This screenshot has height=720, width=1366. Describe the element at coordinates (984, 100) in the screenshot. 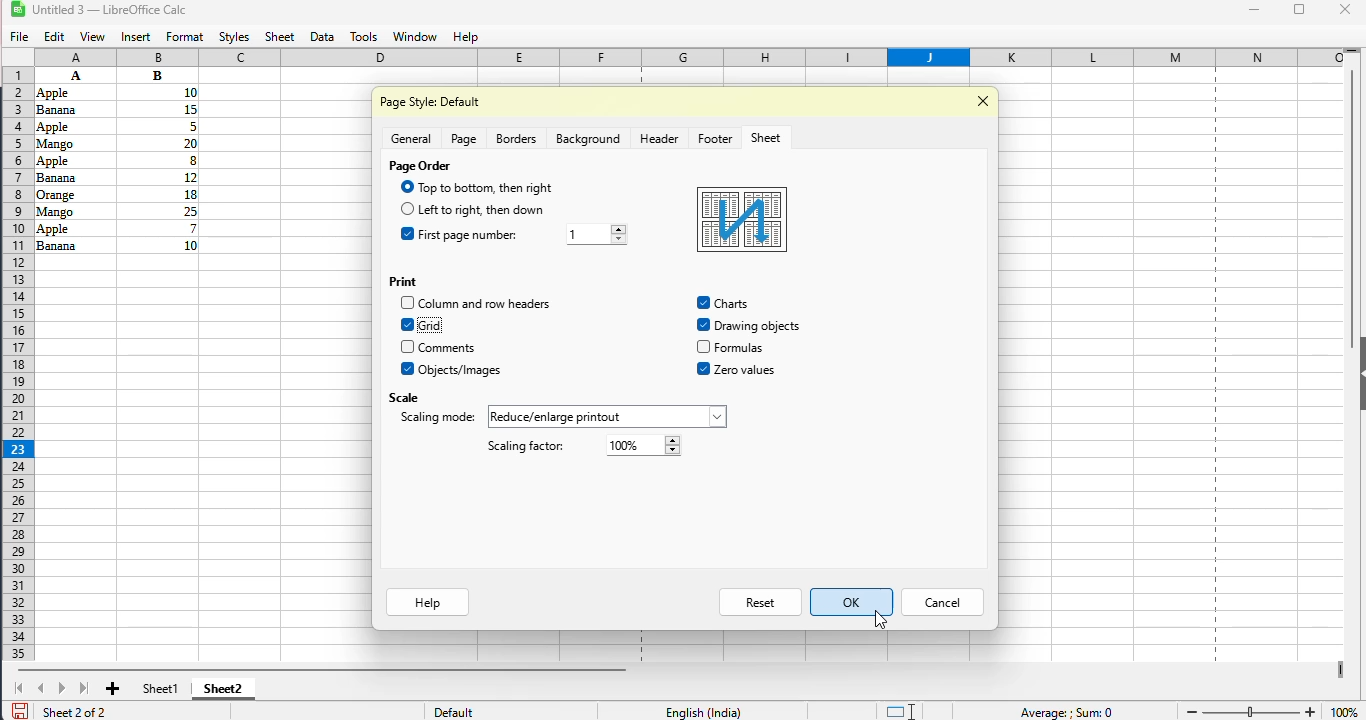

I see `close` at that location.